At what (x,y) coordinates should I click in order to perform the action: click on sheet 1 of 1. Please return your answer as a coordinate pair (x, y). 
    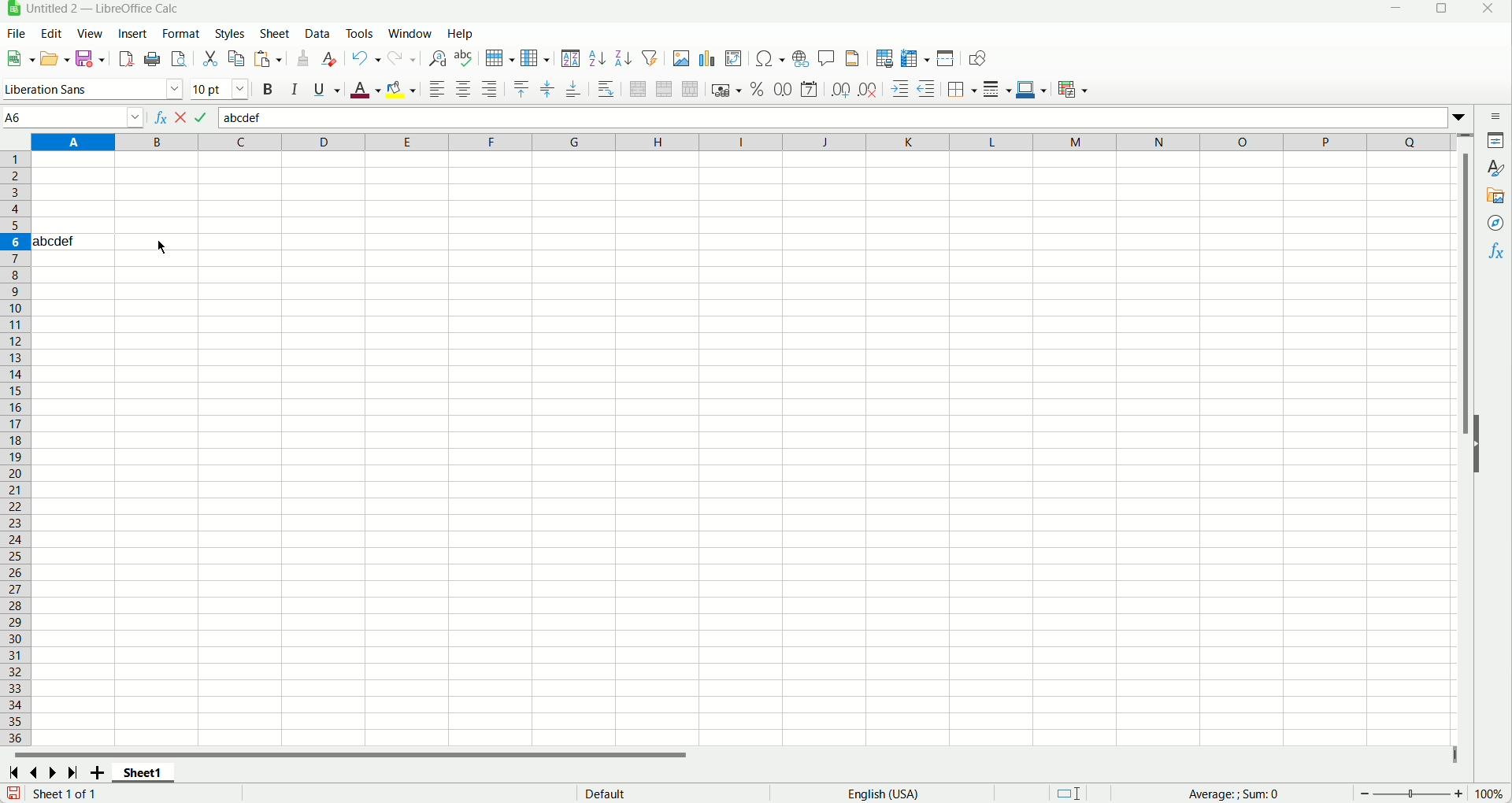
    Looking at the image, I should click on (65, 793).